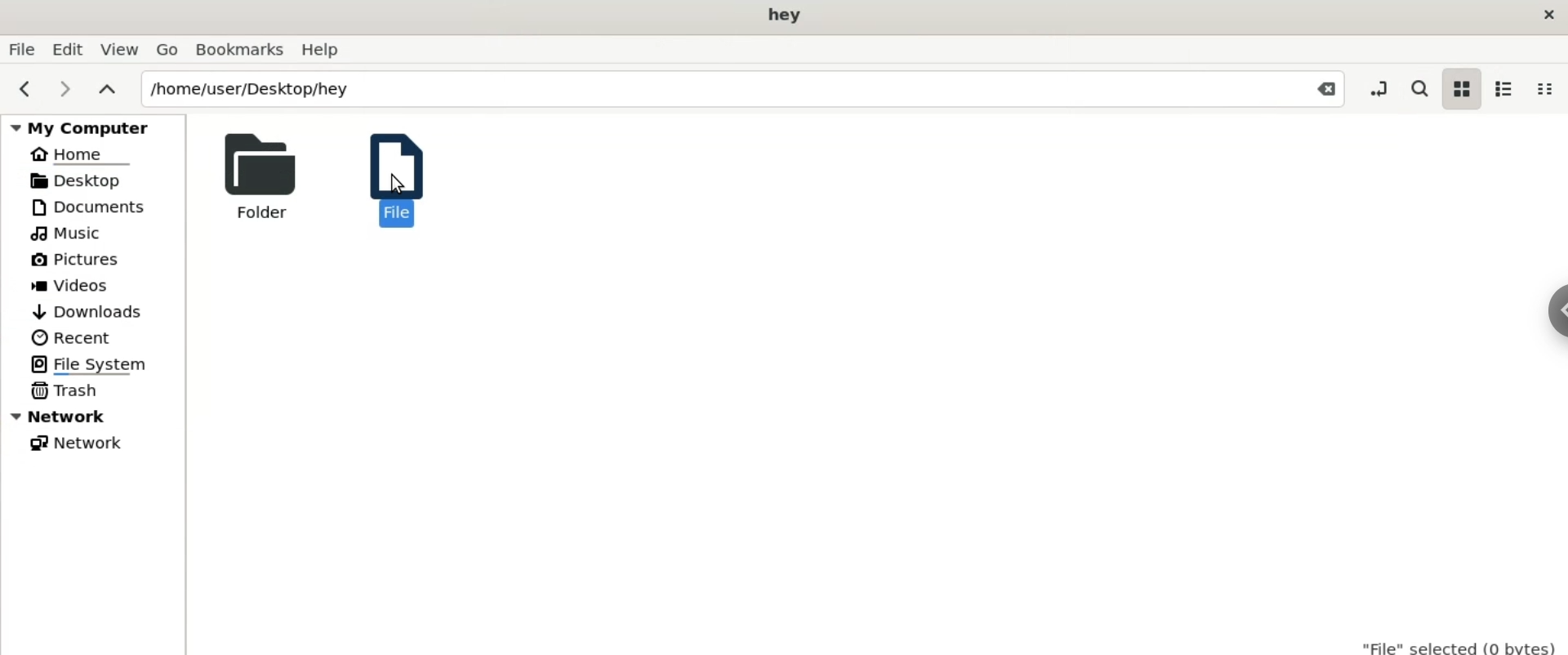 The image size is (1568, 655). I want to click on compact view, so click(1544, 89).